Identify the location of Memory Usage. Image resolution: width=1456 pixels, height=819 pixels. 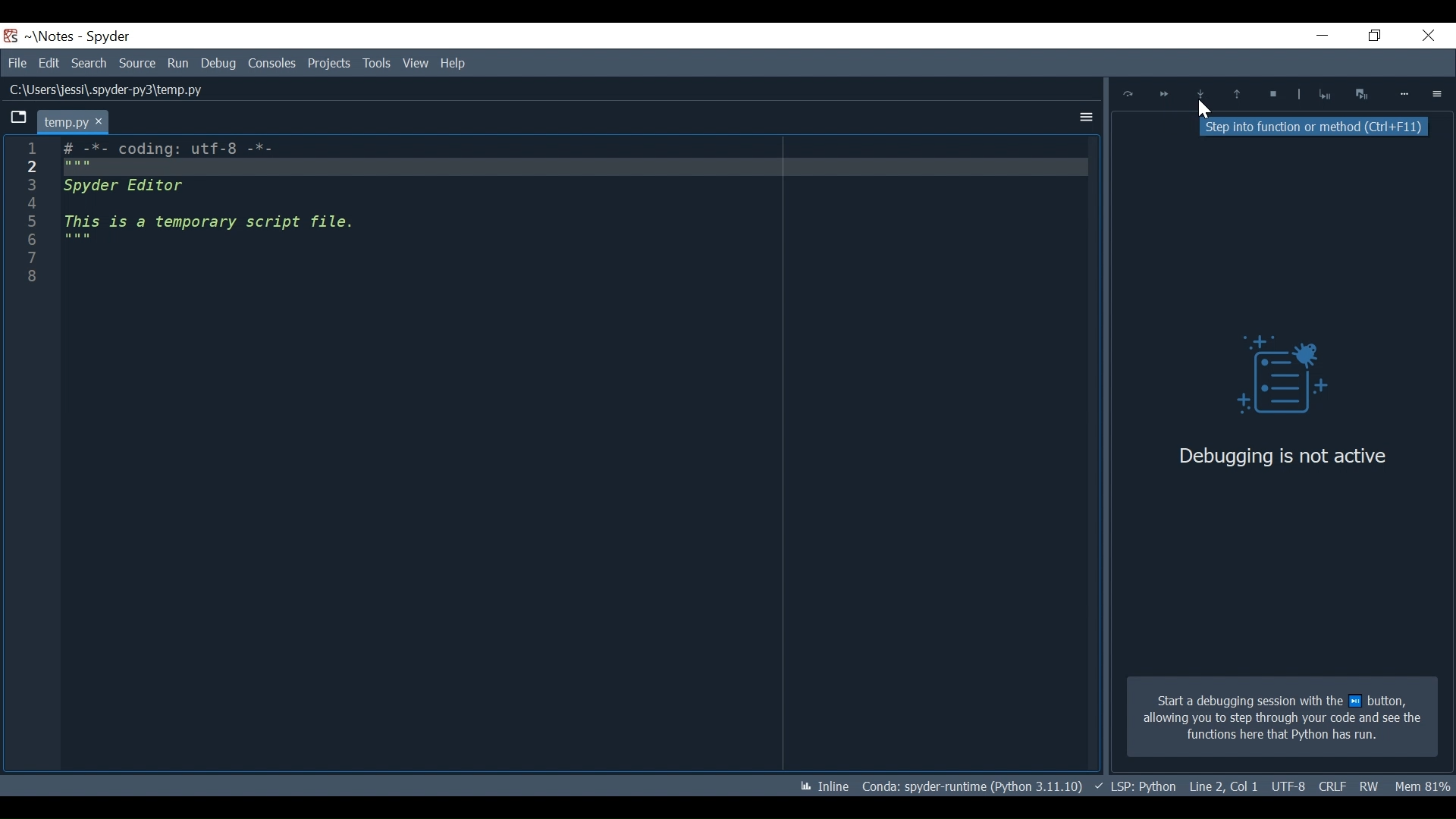
(1424, 785).